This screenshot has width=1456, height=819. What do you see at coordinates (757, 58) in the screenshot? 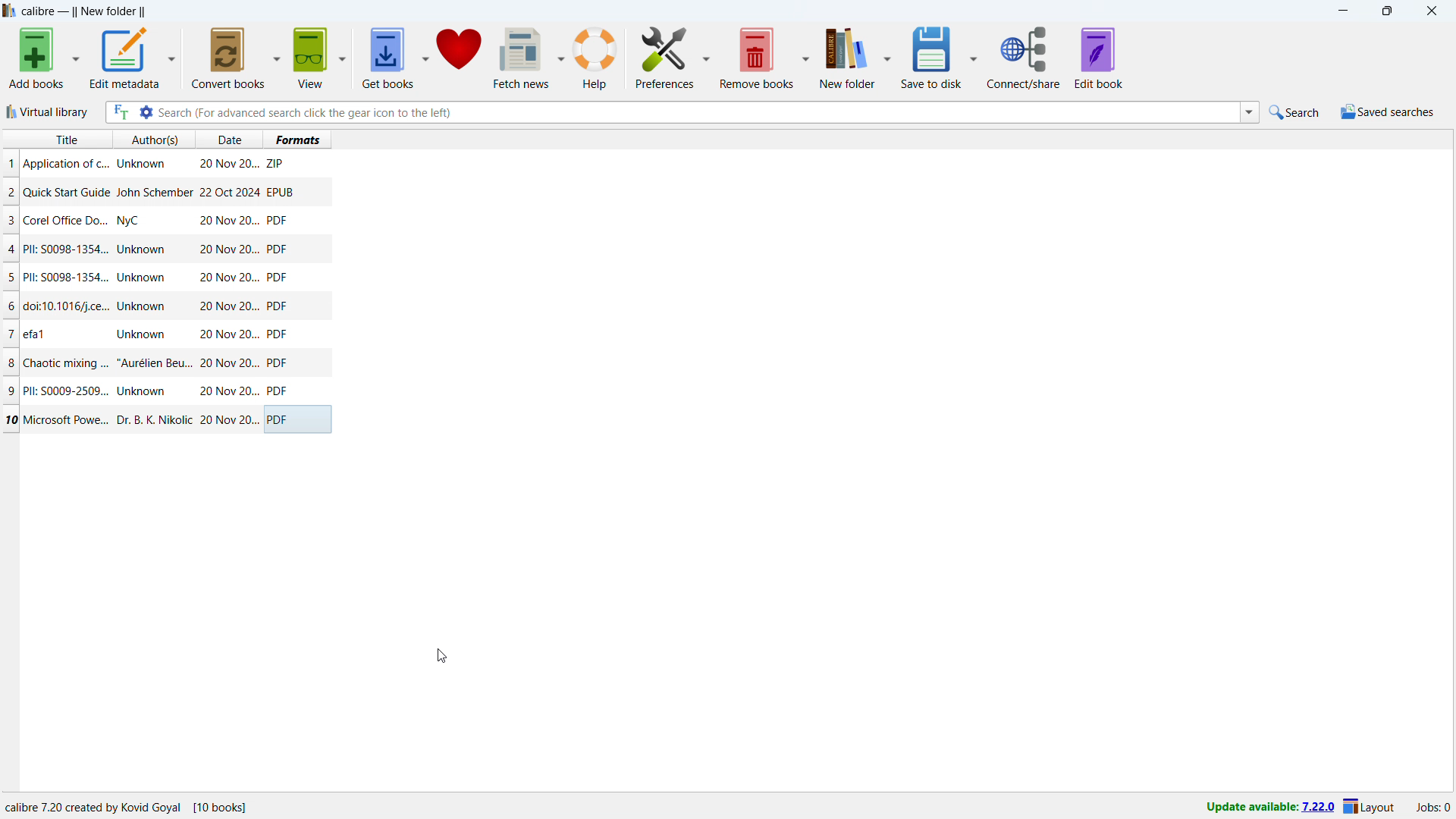
I see `remove books` at bounding box center [757, 58].